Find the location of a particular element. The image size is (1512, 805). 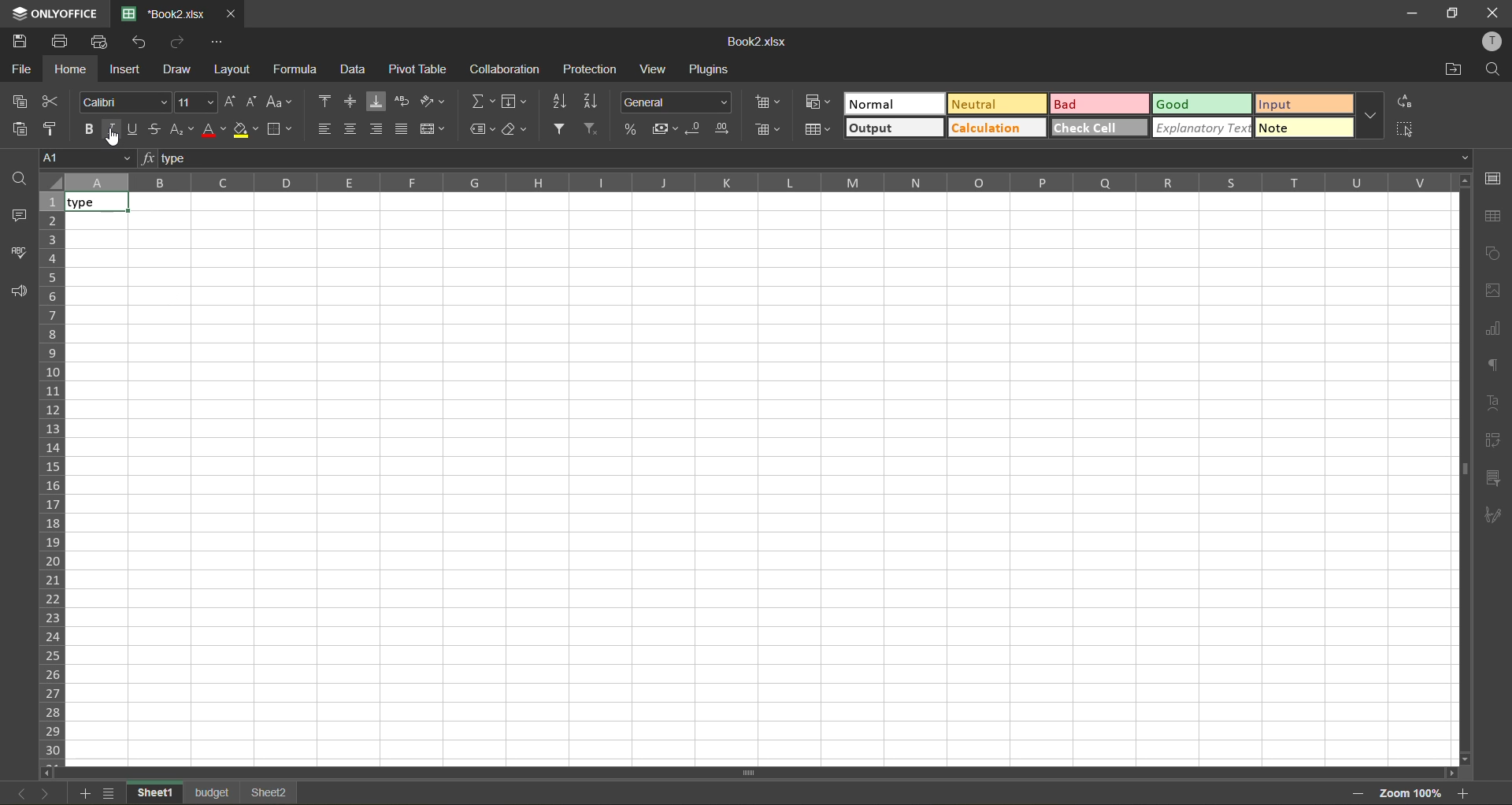

more options is located at coordinates (1373, 116).